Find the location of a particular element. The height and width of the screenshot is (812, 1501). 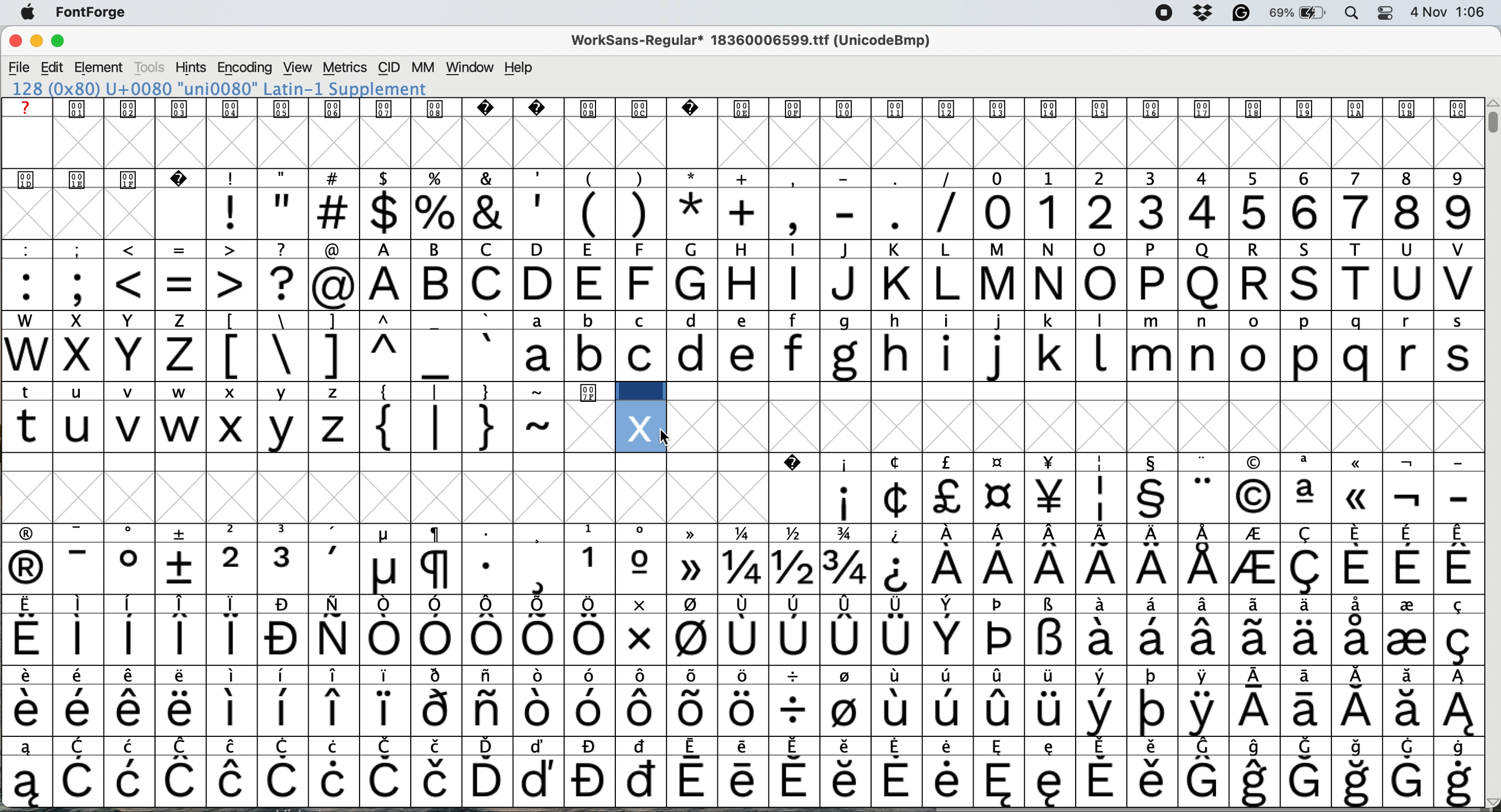

special characters is located at coordinates (739, 781).